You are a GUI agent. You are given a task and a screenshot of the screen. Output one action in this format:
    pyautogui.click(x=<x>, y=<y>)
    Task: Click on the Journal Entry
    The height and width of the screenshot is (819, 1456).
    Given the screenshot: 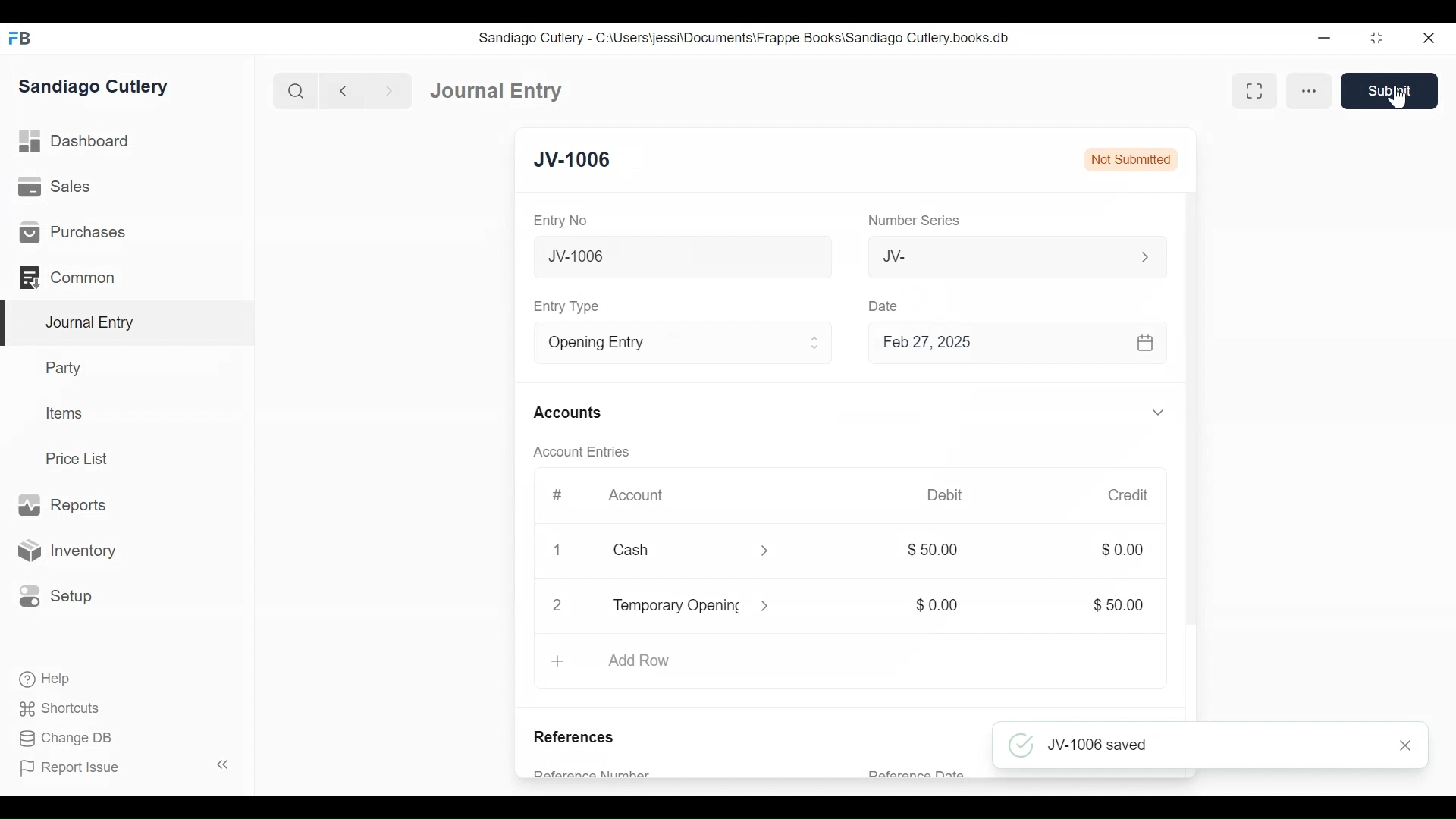 What is the action you would take?
    pyautogui.click(x=124, y=324)
    